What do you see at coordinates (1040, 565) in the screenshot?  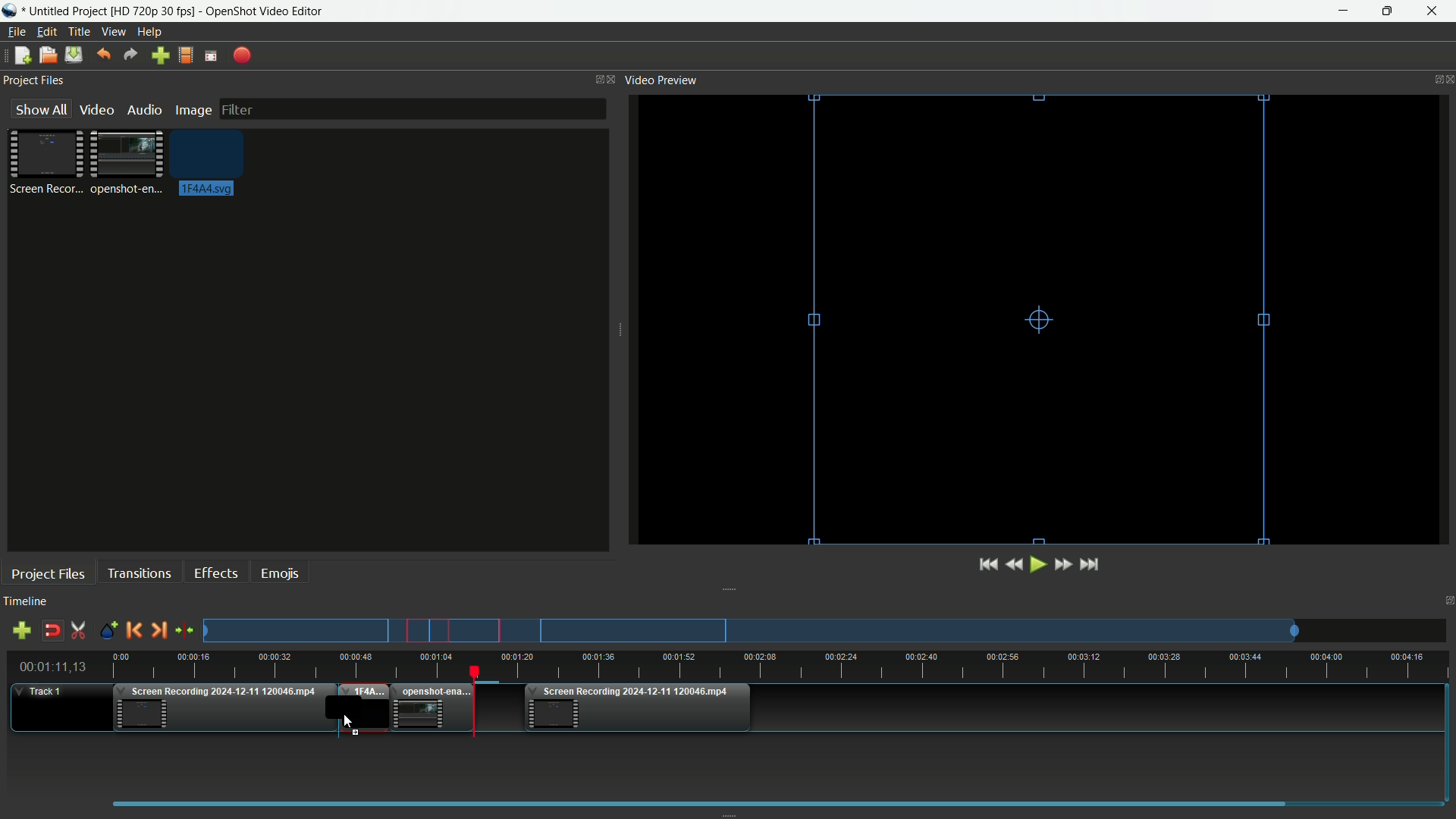 I see `Play or pause` at bounding box center [1040, 565].